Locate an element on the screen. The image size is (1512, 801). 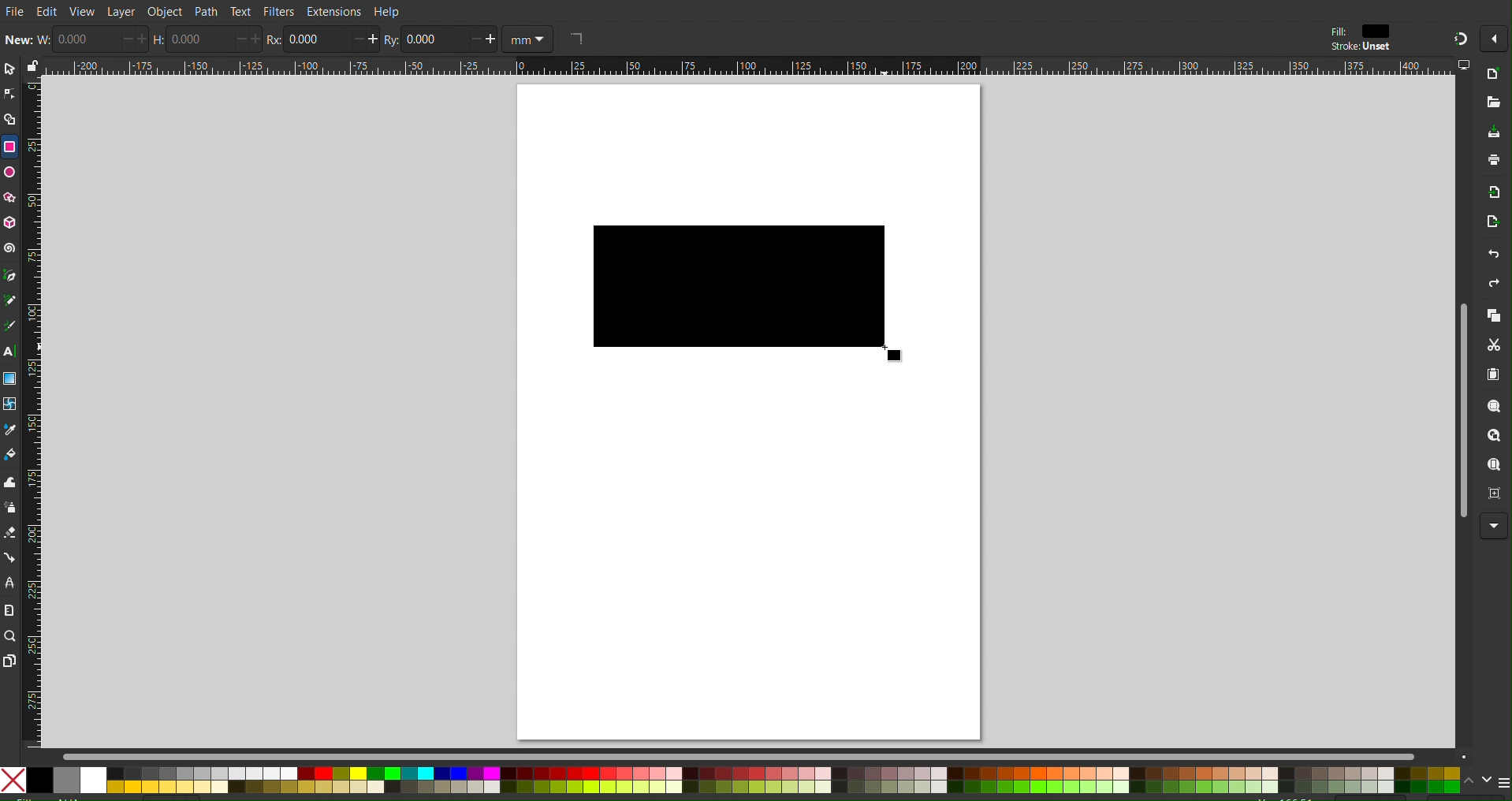
0.000 is located at coordinates (316, 41).